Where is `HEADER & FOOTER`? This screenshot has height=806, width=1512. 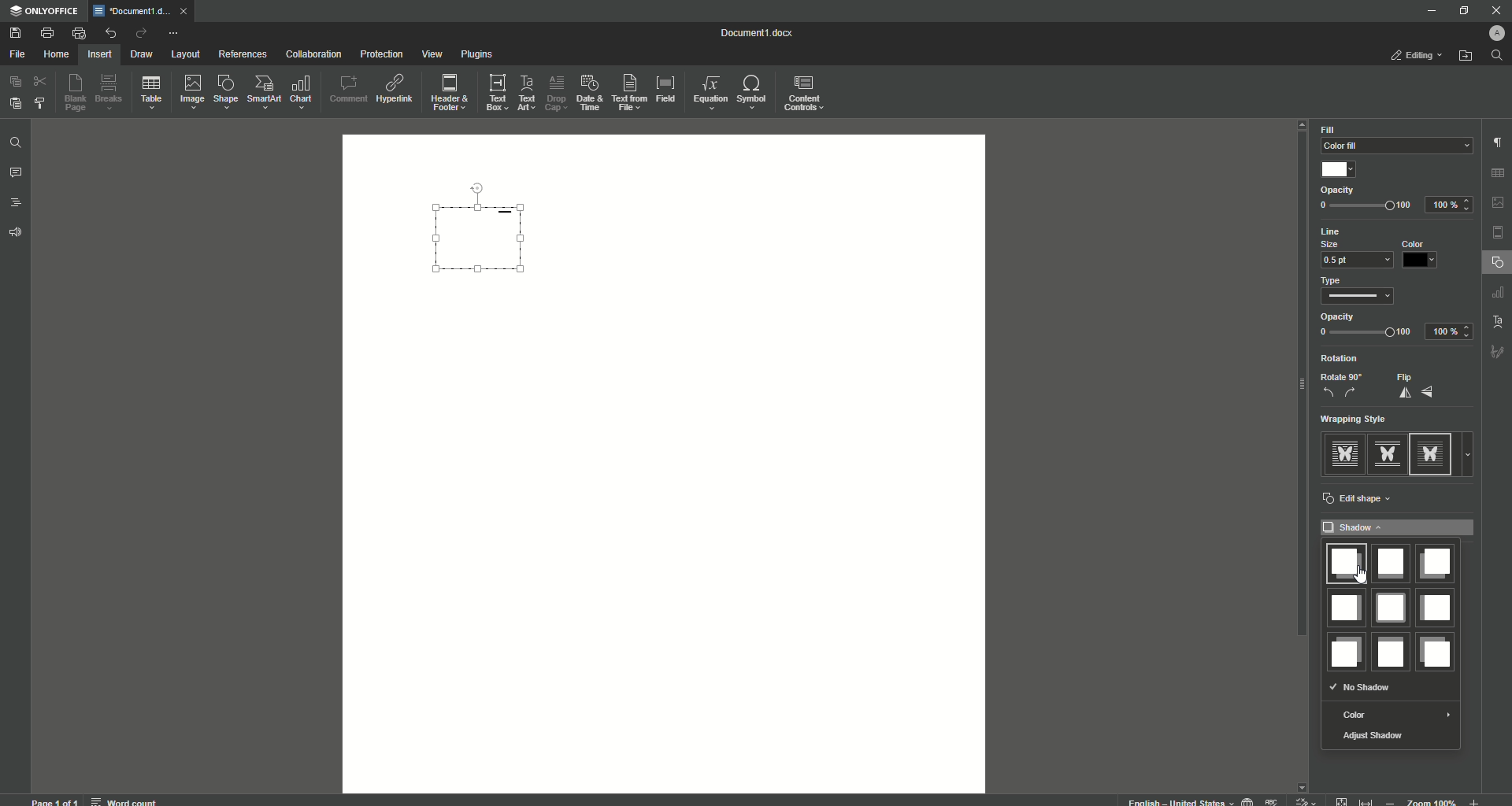 HEADER & FOOTER is located at coordinates (1498, 233).